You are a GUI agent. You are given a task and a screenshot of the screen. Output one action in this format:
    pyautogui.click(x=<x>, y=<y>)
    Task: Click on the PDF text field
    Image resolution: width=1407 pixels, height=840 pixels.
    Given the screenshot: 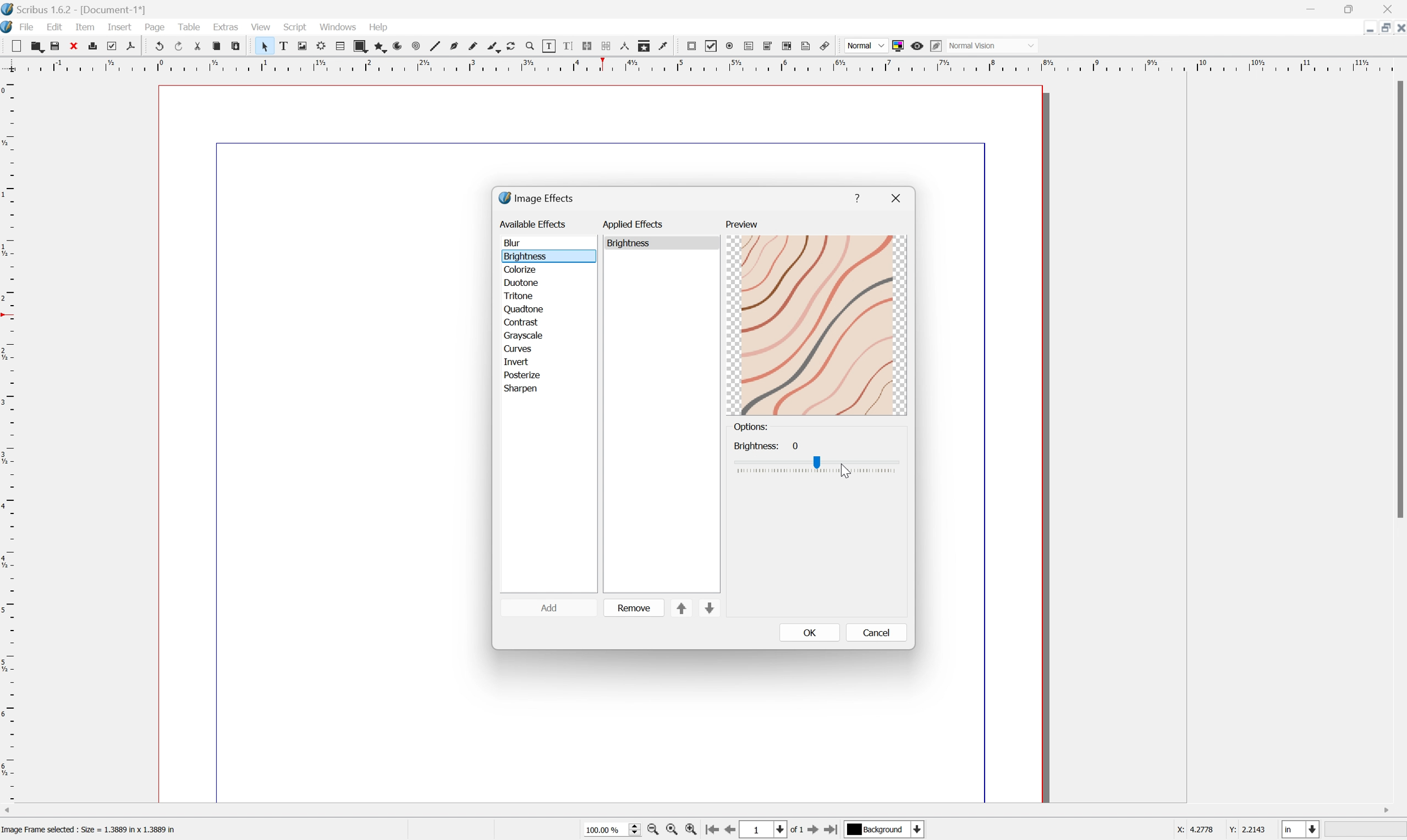 What is the action you would take?
    pyautogui.click(x=747, y=47)
    